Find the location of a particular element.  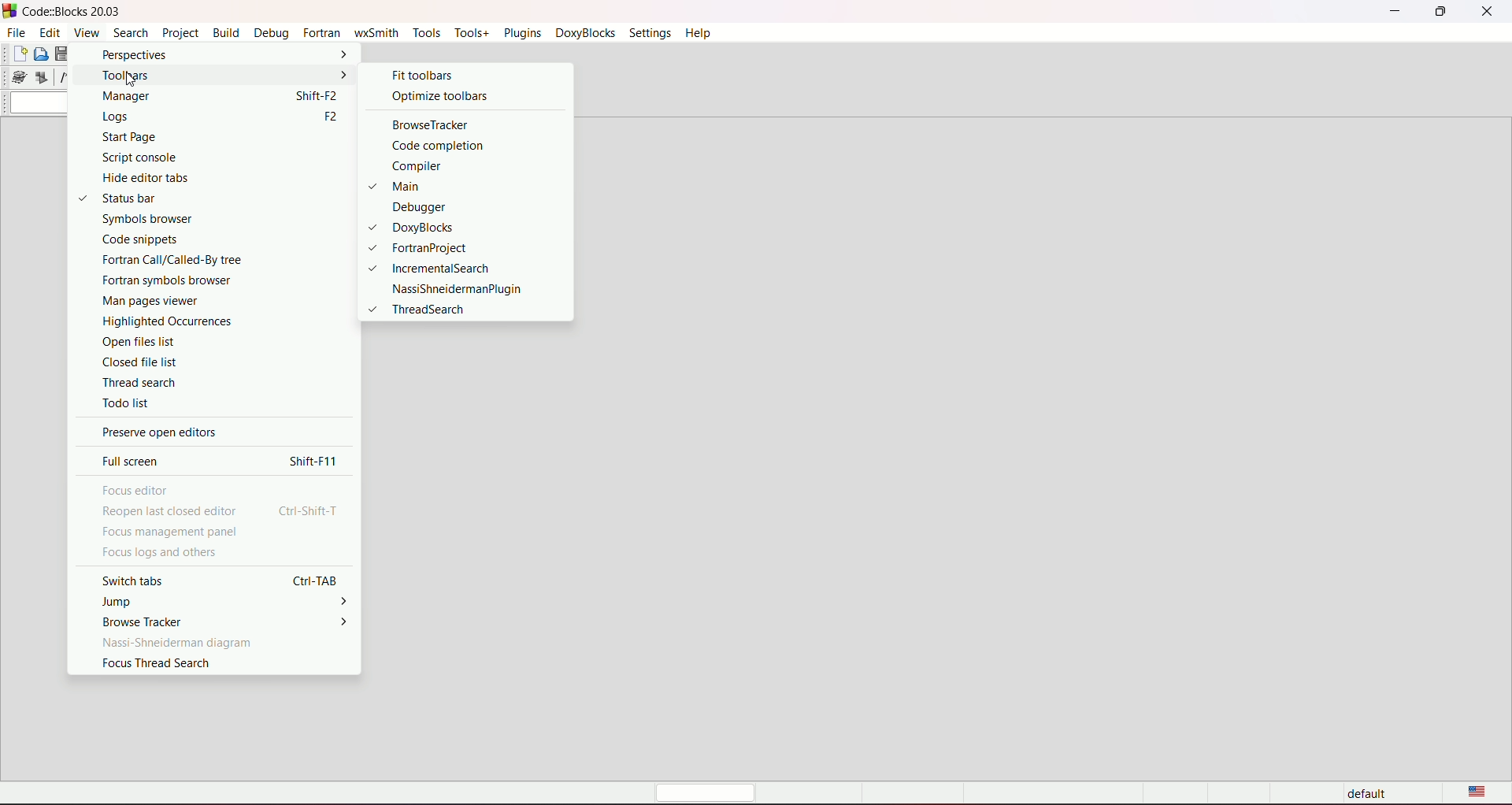

code completion is located at coordinates (441, 147).